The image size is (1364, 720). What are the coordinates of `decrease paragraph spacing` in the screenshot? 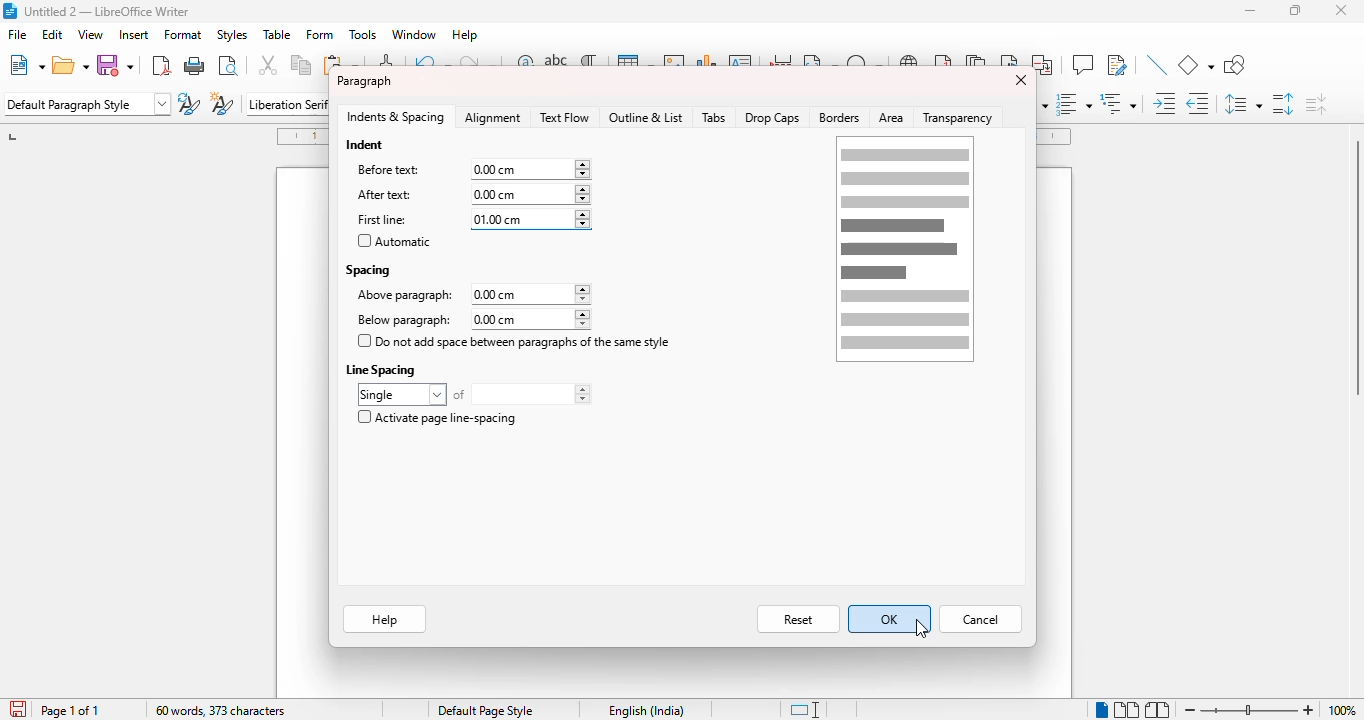 It's located at (1315, 103).